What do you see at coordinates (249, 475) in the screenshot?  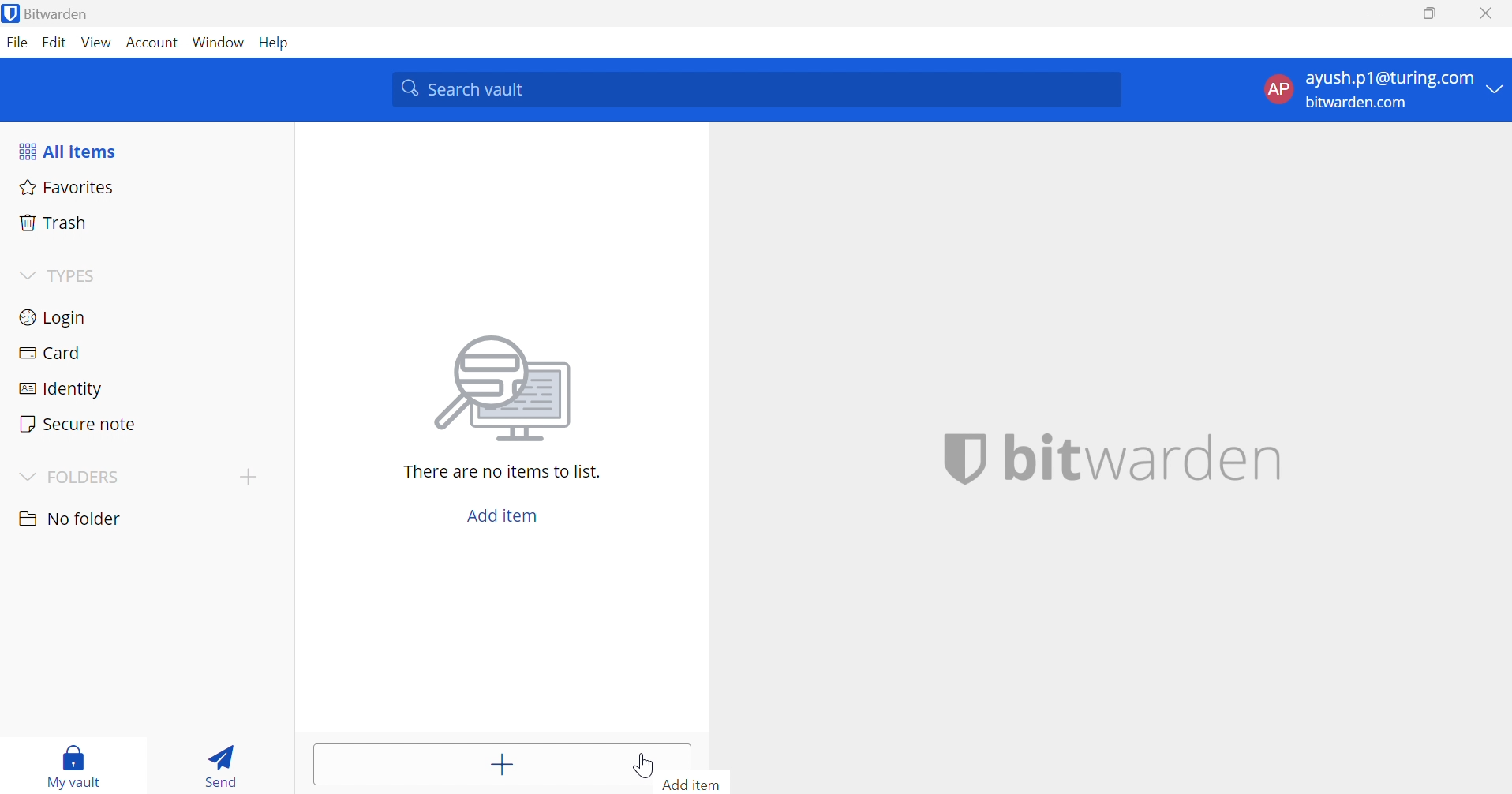 I see `Create folder` at bounding box center [249, 475].